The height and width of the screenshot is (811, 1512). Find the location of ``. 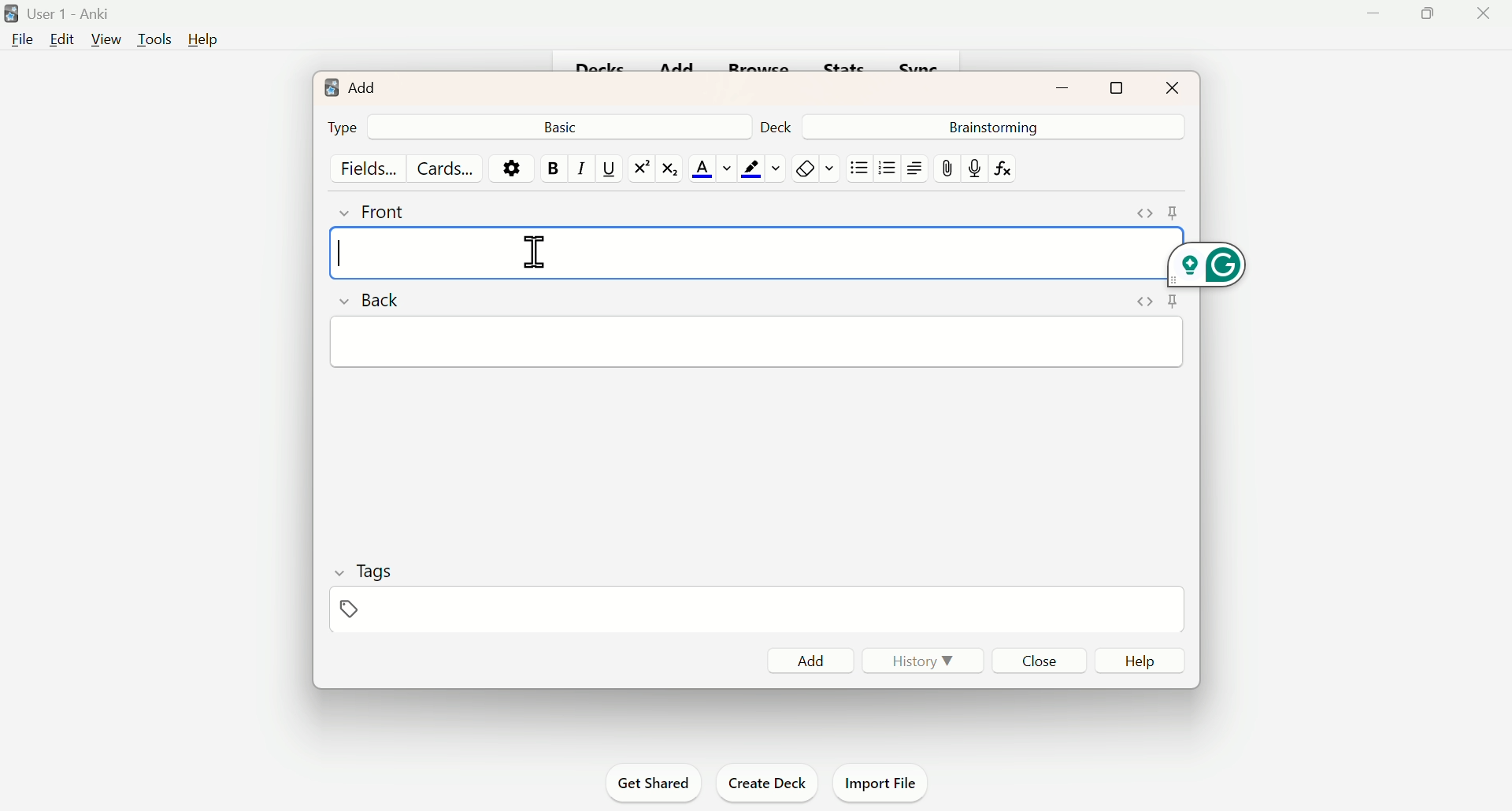

 is located at coordinates (151, 36).